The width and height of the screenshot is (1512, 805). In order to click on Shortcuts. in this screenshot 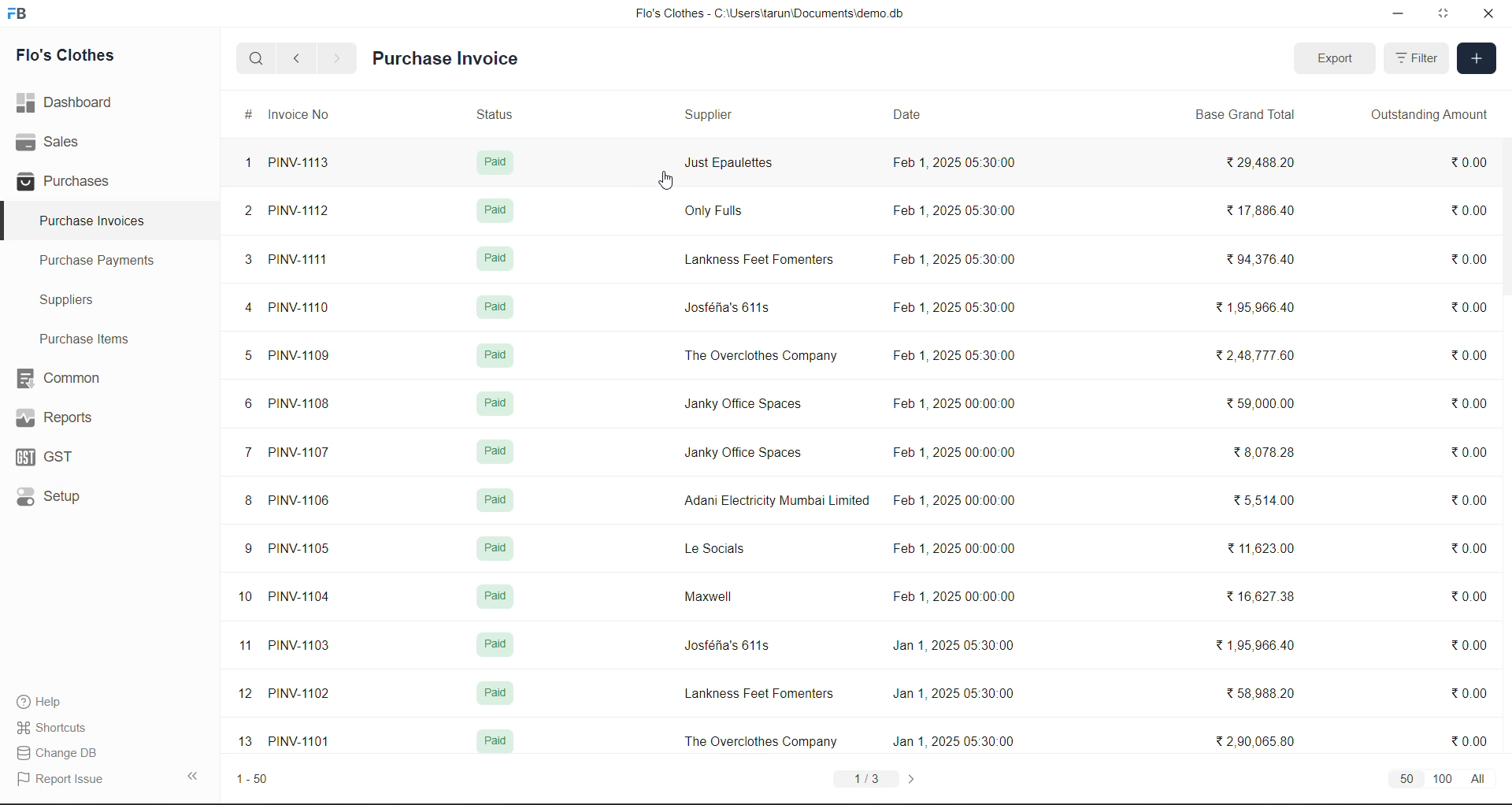, I will do `click(57, 726)`.